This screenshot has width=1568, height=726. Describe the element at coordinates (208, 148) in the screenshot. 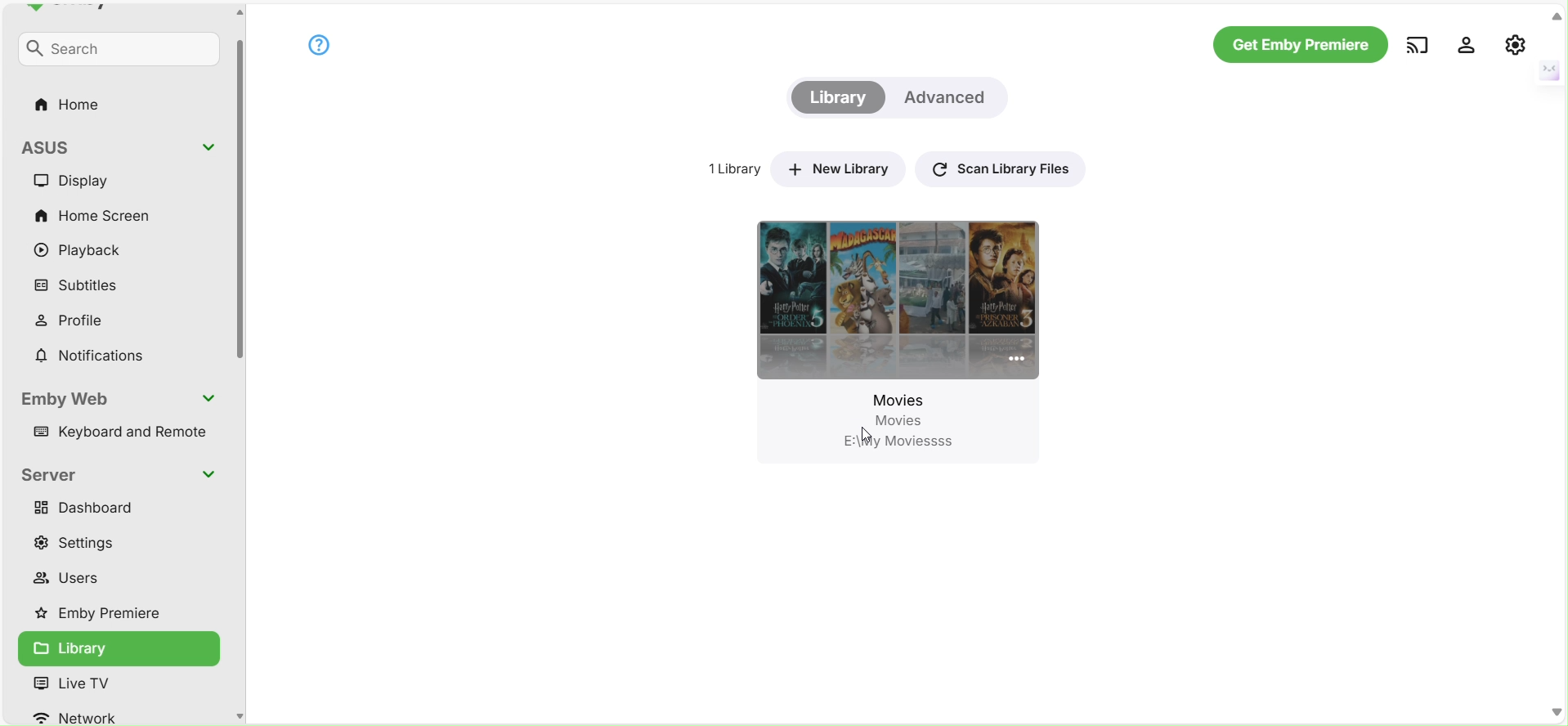

I see `Collapse Section` at that location.